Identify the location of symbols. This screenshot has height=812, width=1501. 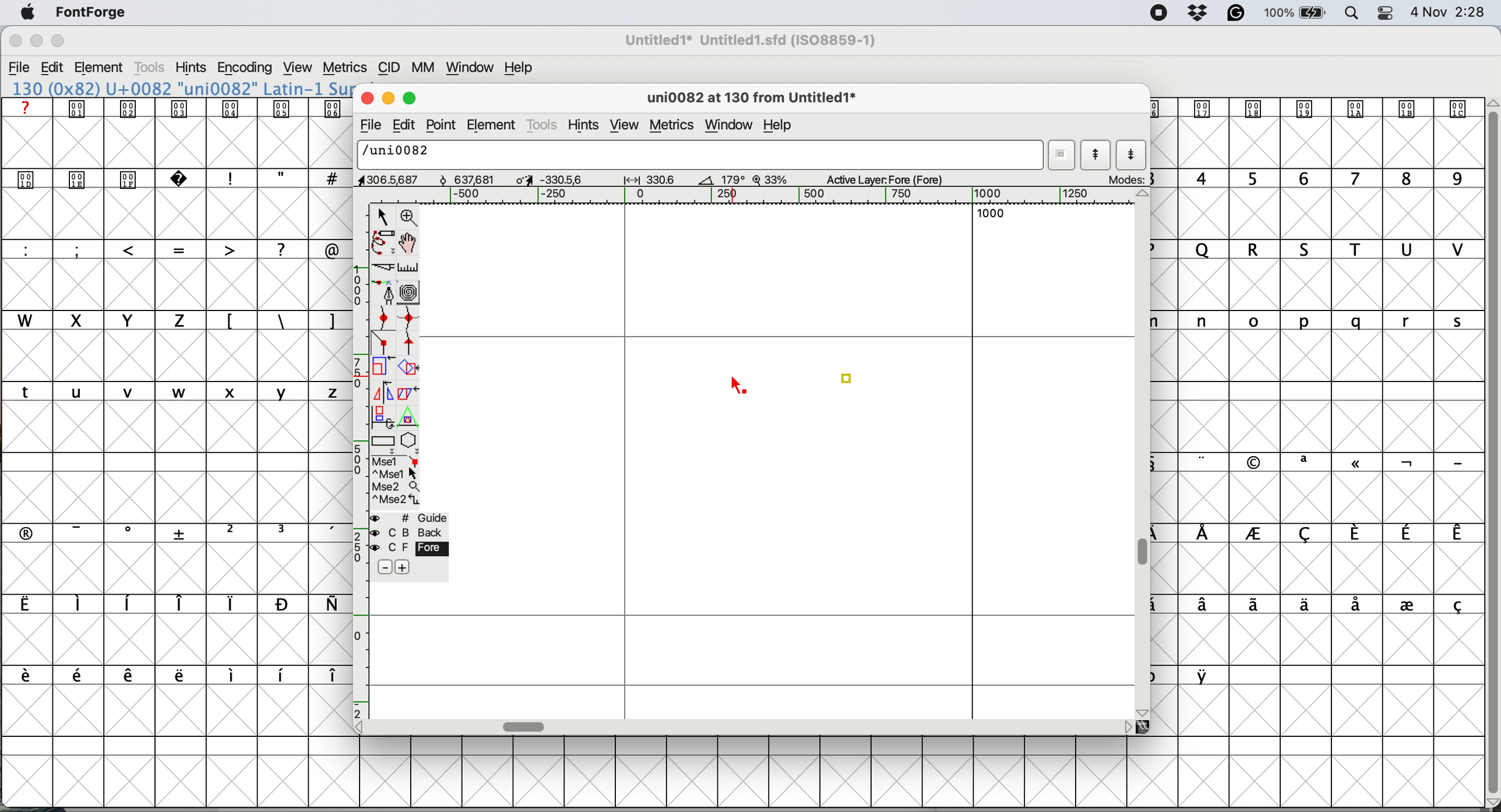
(281, 322).